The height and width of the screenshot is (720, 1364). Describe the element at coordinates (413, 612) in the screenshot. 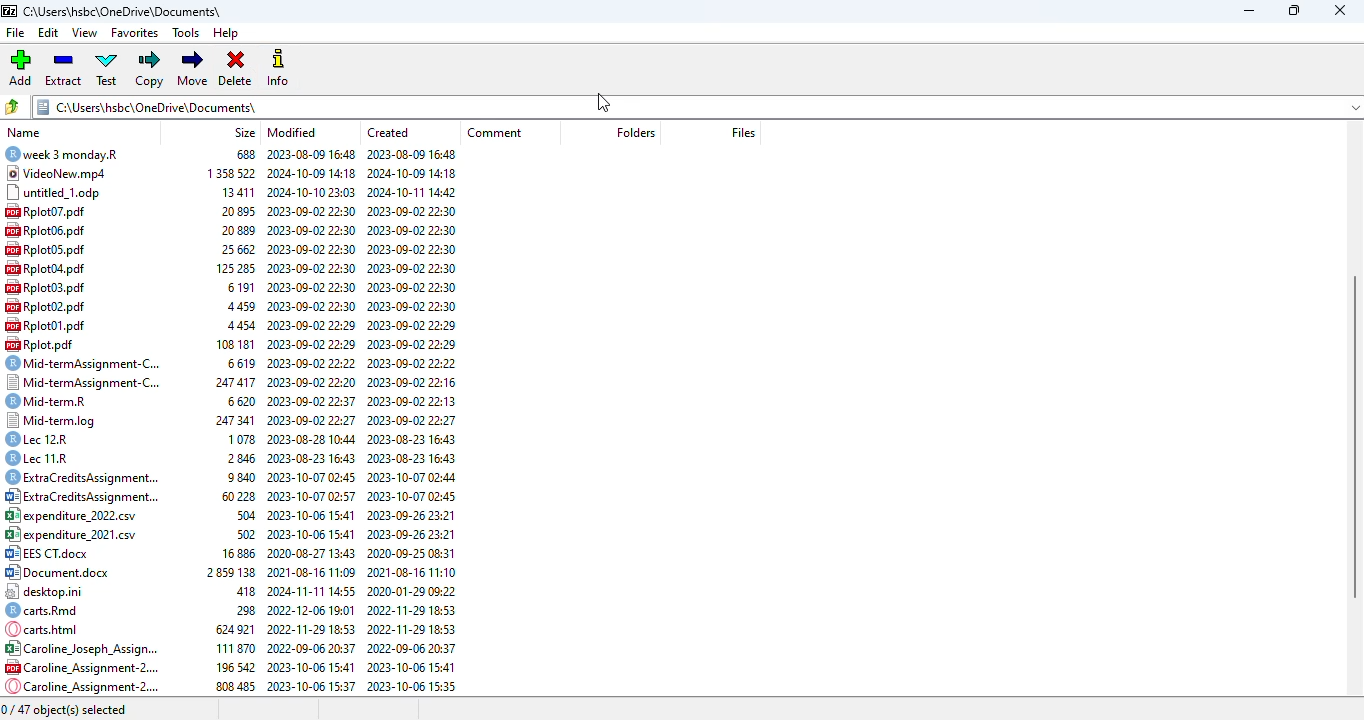

I see `2022-11-29 18:53` at that location.